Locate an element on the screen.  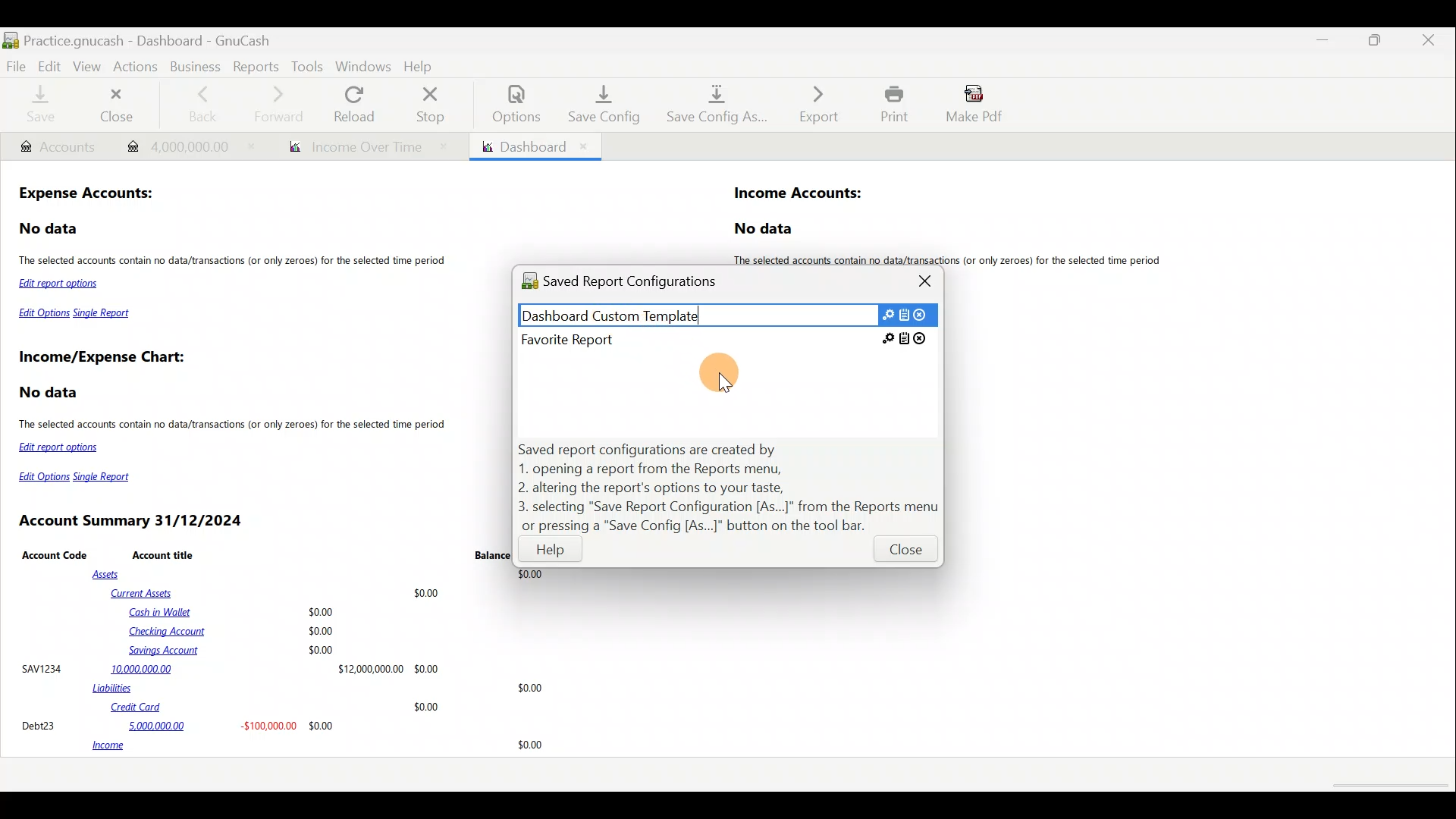
Minimise is located at coordinates (1326, 40).